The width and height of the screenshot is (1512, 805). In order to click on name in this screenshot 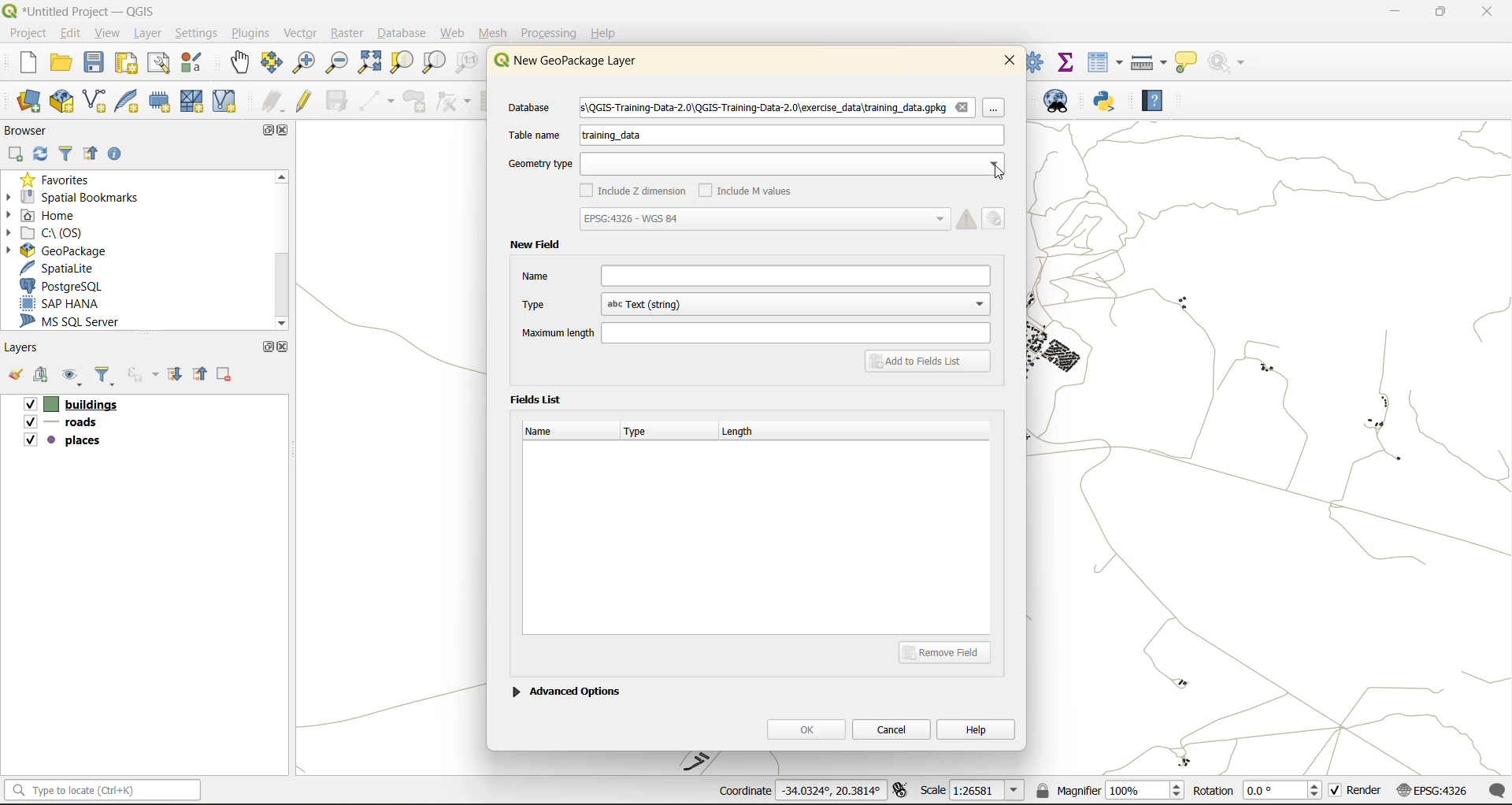, I will do `click(547, 431)`.